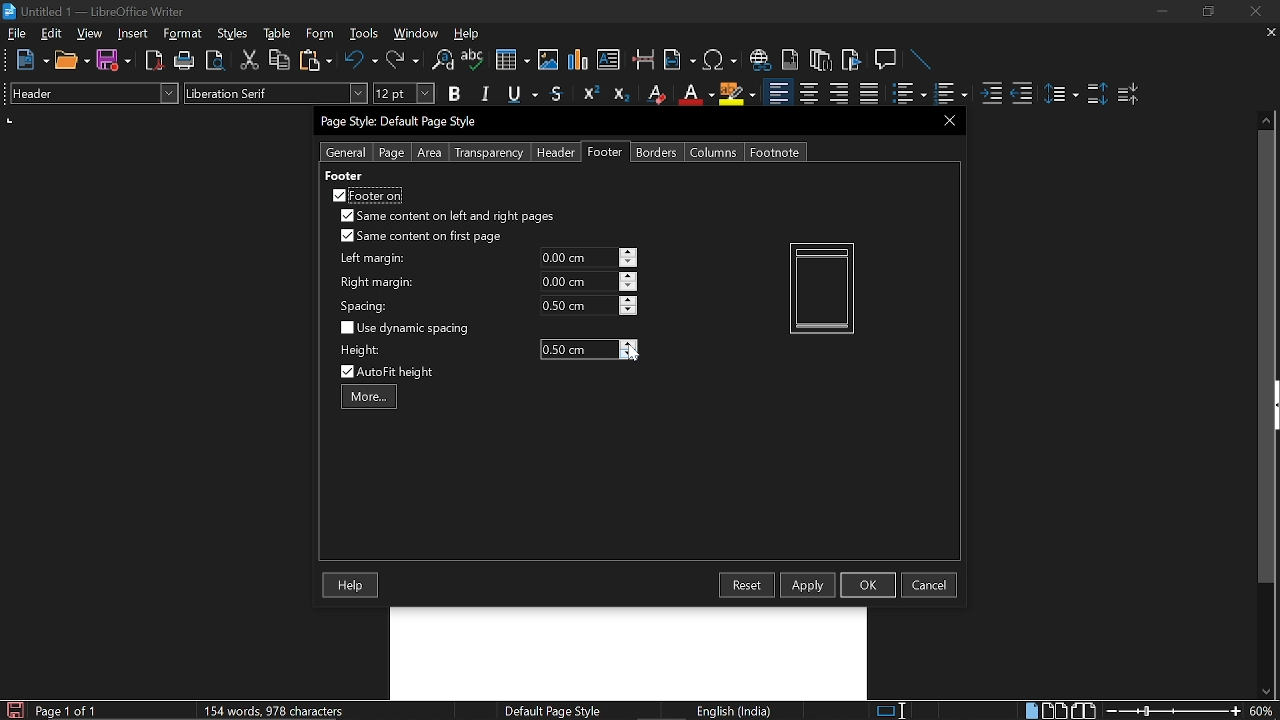 Image resolution: width=1280 pixels, height=720 pixels. I want to click on Open, so click(72, 61).